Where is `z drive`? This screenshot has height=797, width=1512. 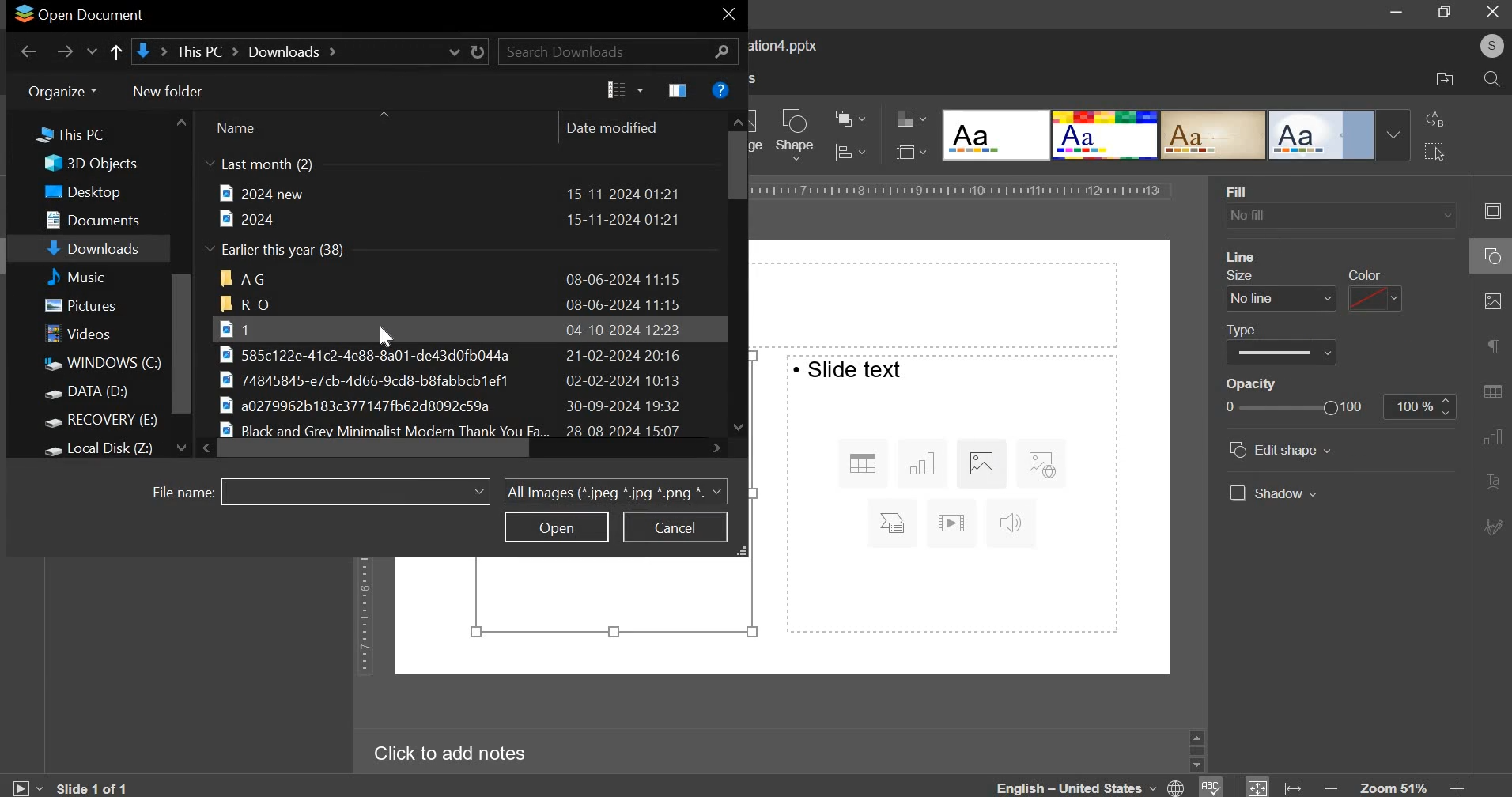
z drive is located at coordinates (112, 447).